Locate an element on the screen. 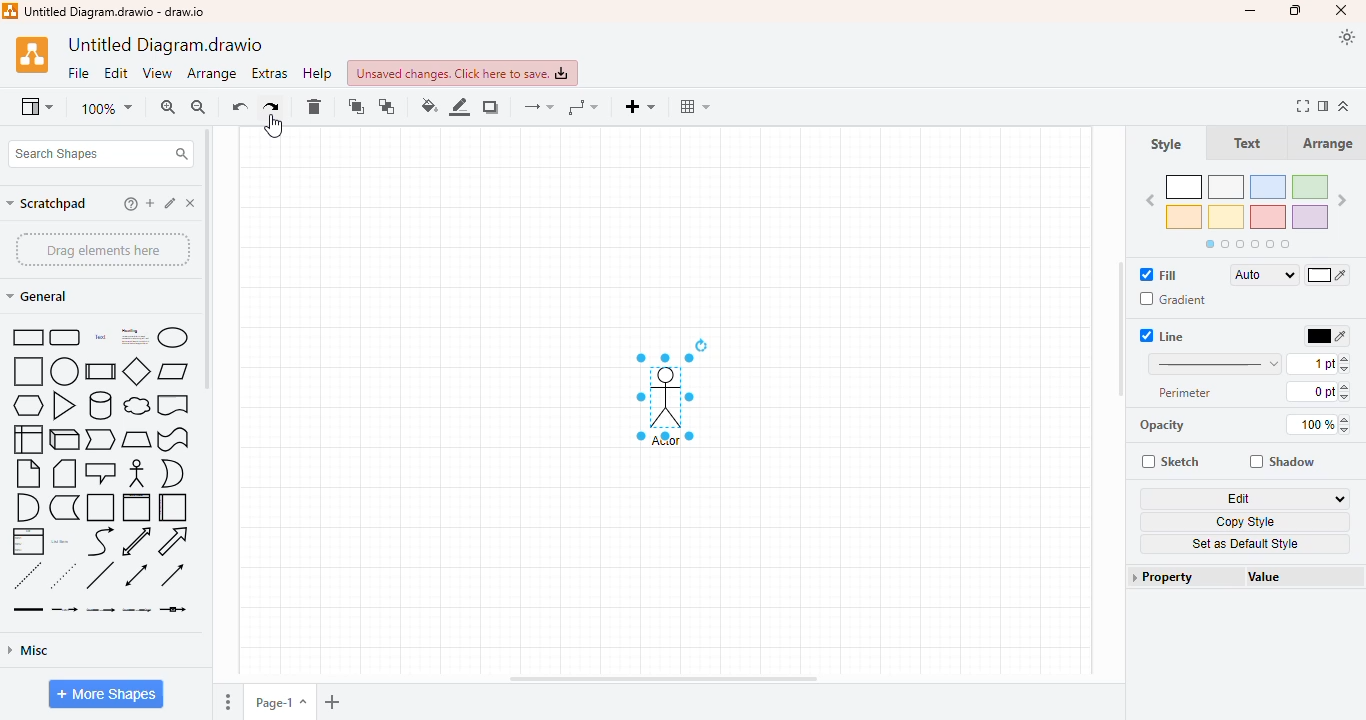  line is located at coordinates (99, 575).